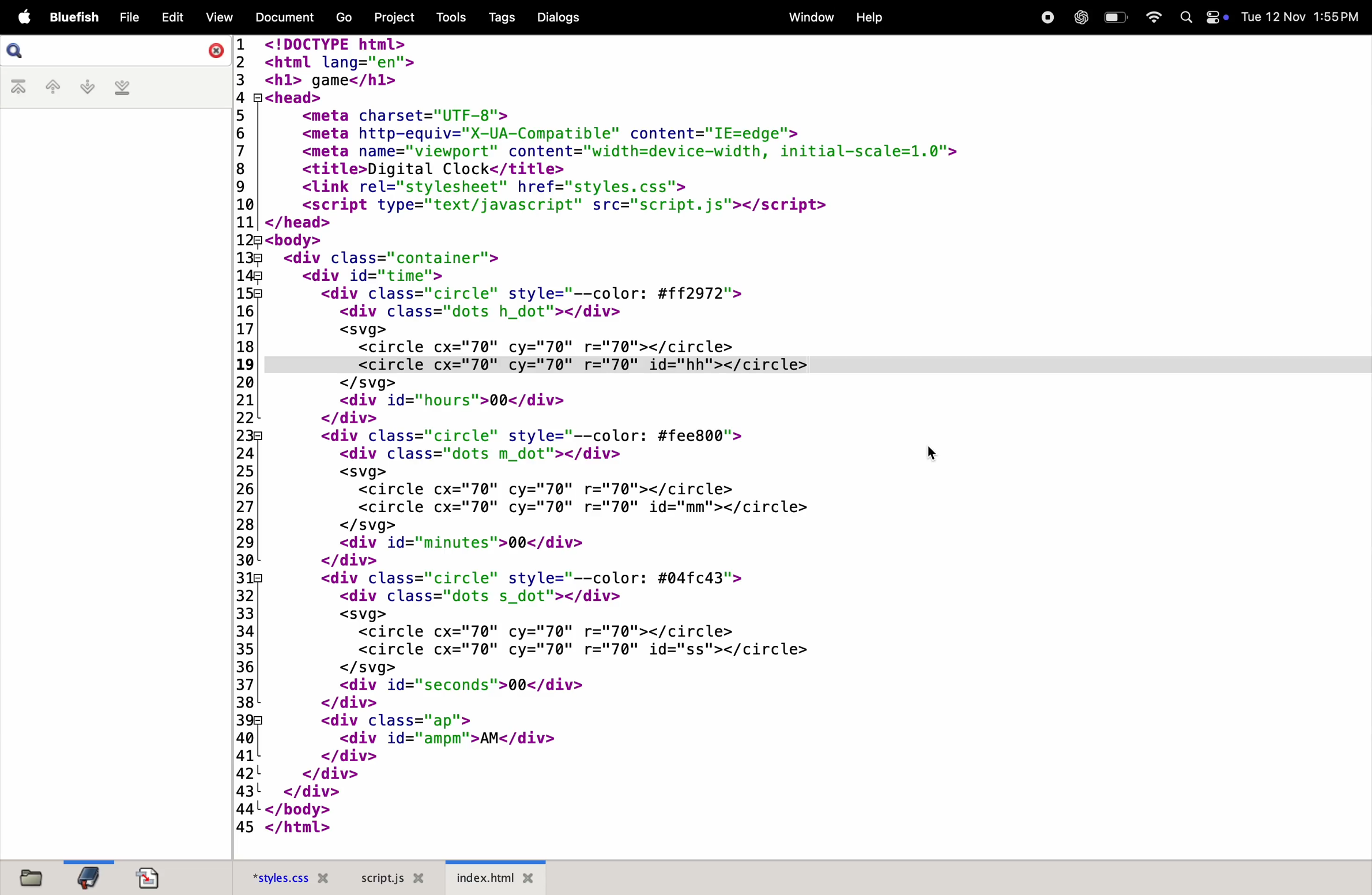 This screenshot has height=895, width=1372. Describe the element at coordinates (18, 88) in the screenshot. I see `first bookmark` at that location.